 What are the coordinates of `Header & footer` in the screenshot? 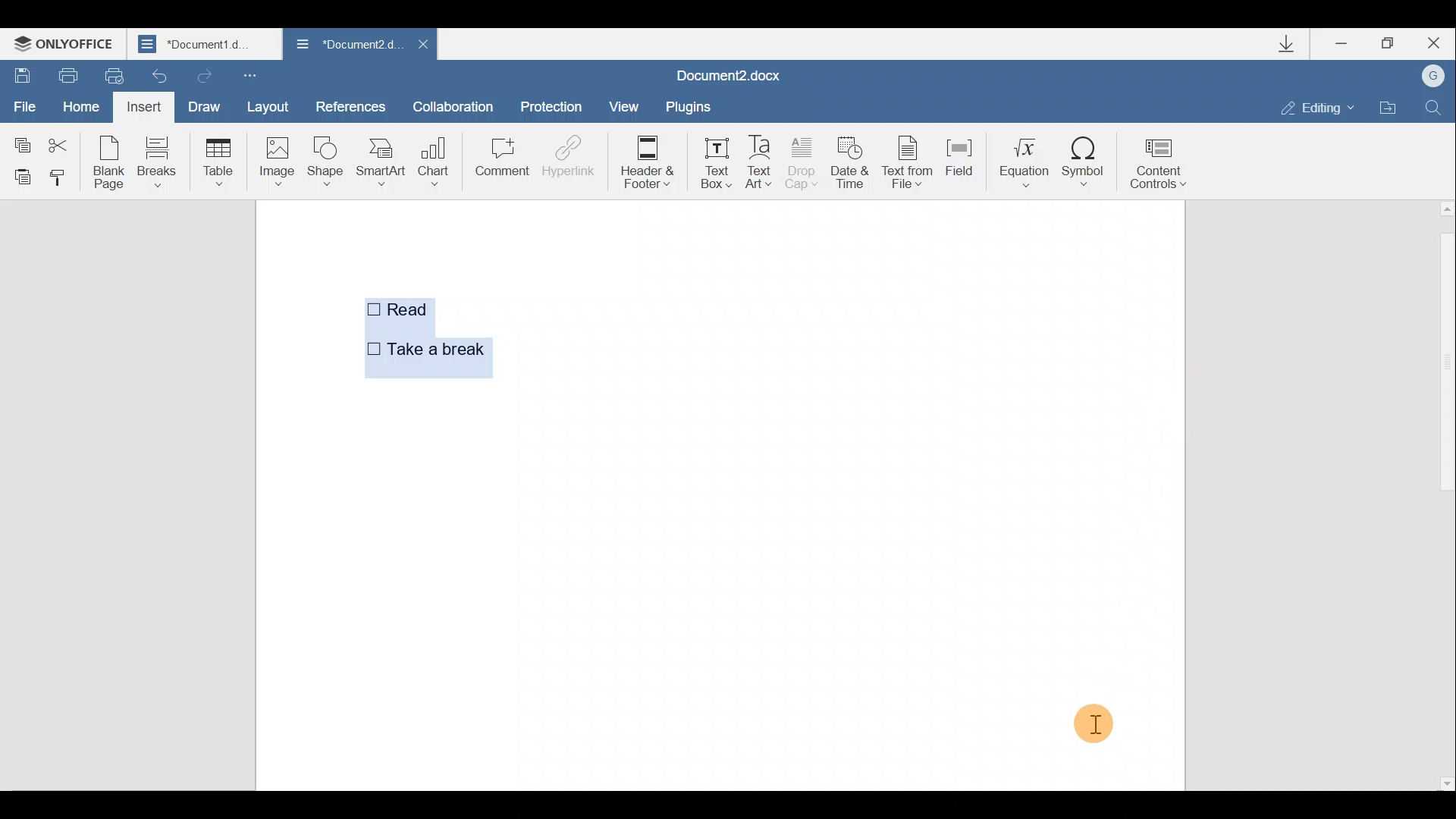 It's located at (652, 162).